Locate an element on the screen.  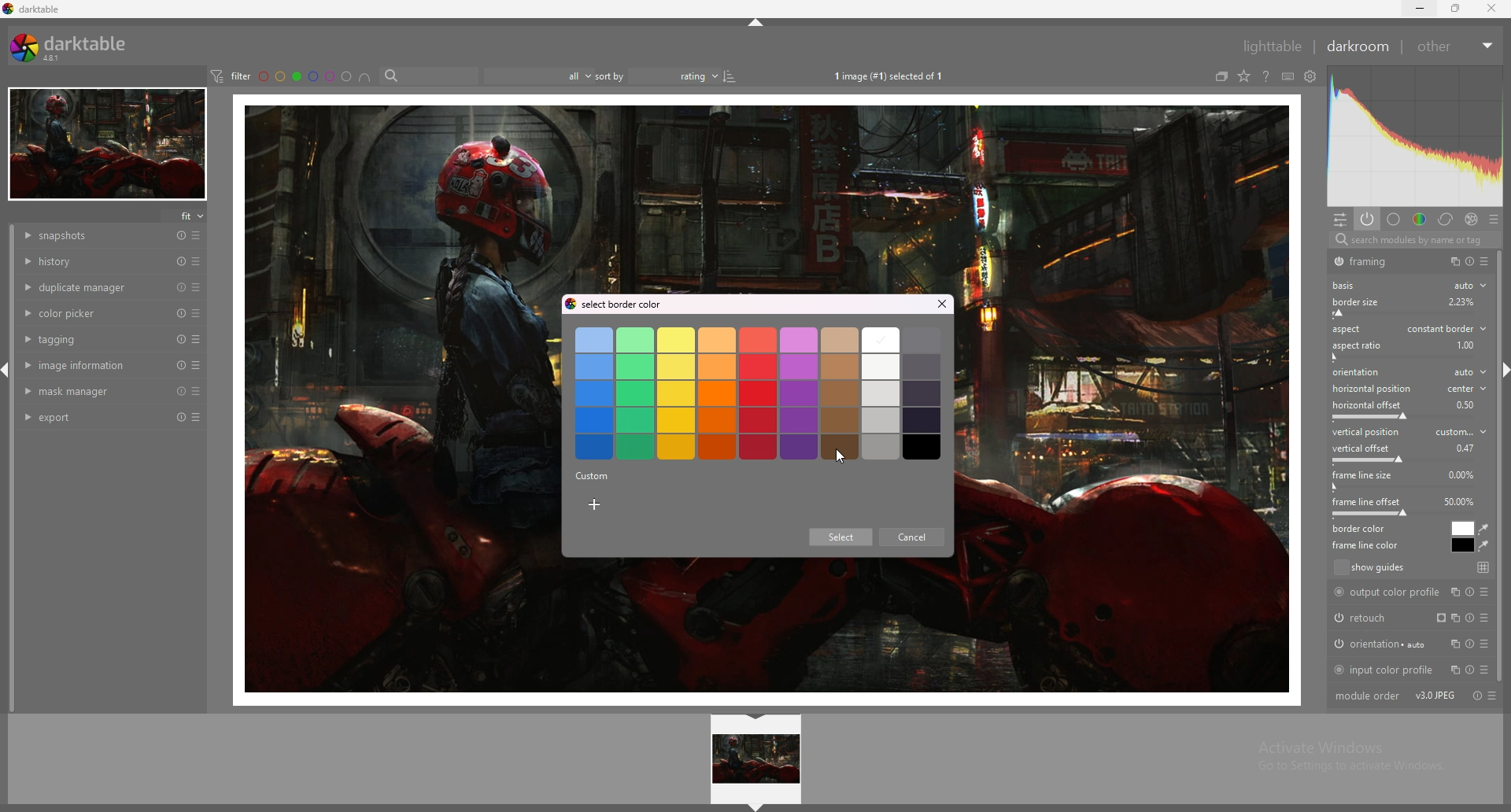
frame line offset is located at coordinates (1367, 501).